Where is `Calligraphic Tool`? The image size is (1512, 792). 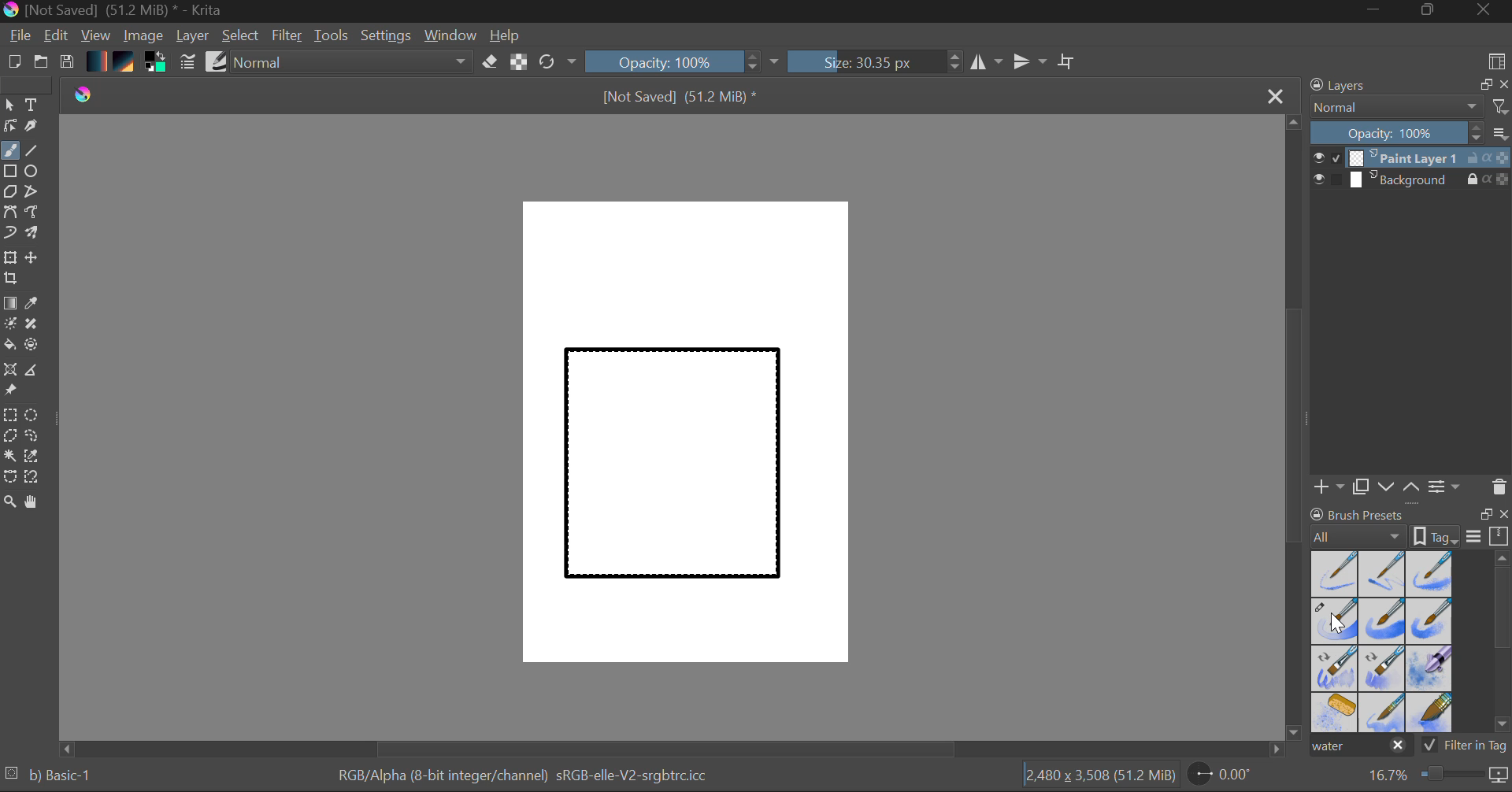
Calligraphic Tool is located at coordinates (37, 129).